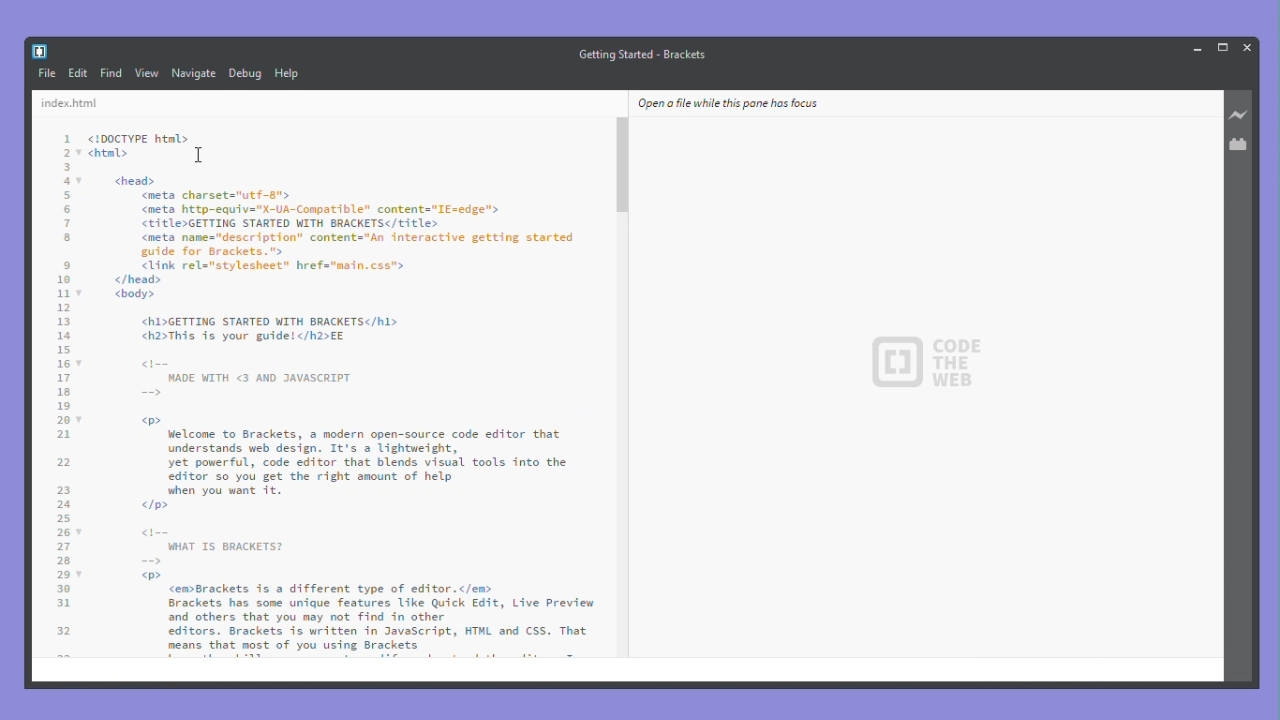 This screenshot has height=720, width=1280. Describe the element at coordinates (1198, 48) in the screenshot. I see `` at that location.